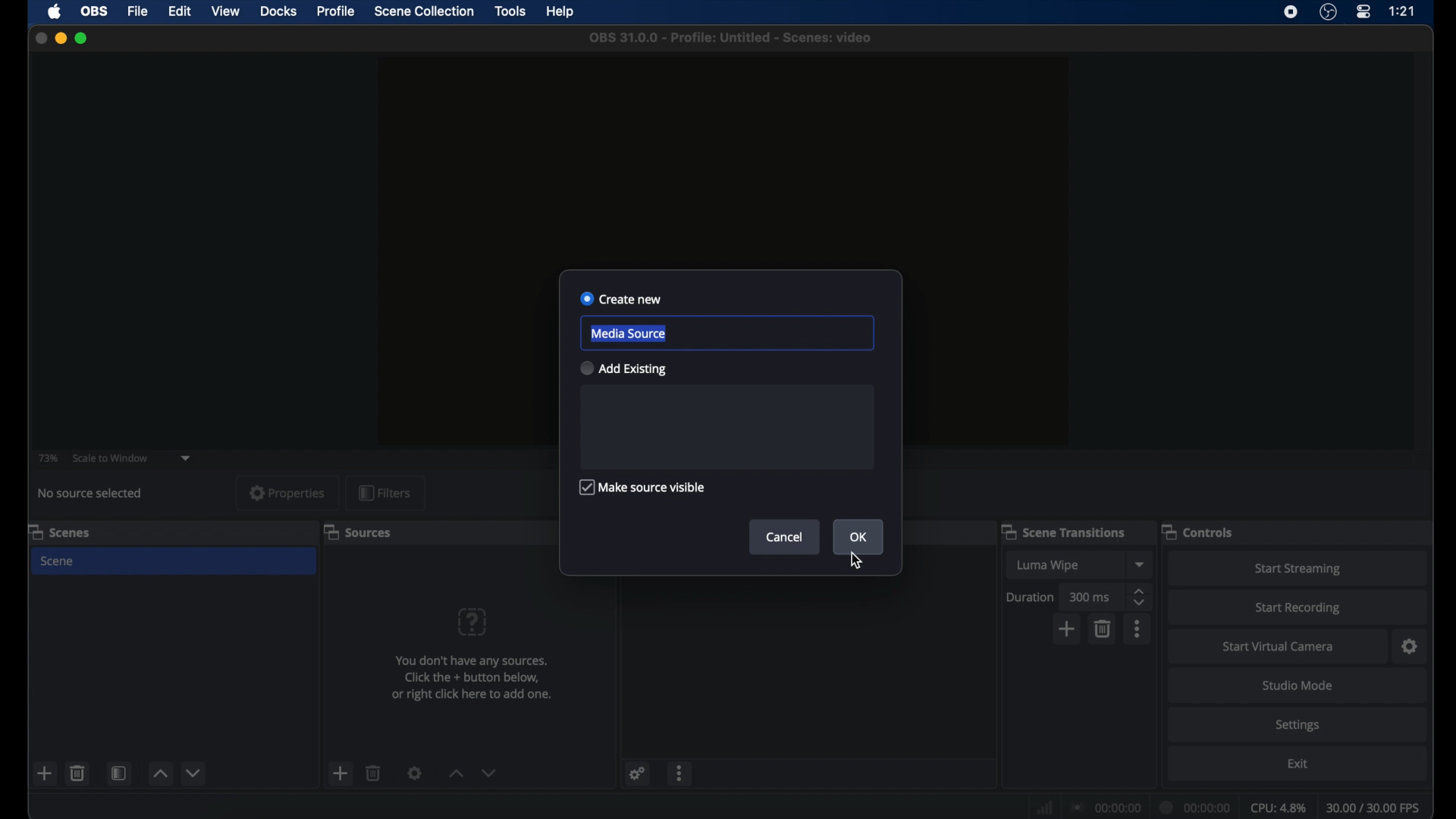 This screenshot has width=1456, height=819. I want to click on scale to window, so click(110, 458).